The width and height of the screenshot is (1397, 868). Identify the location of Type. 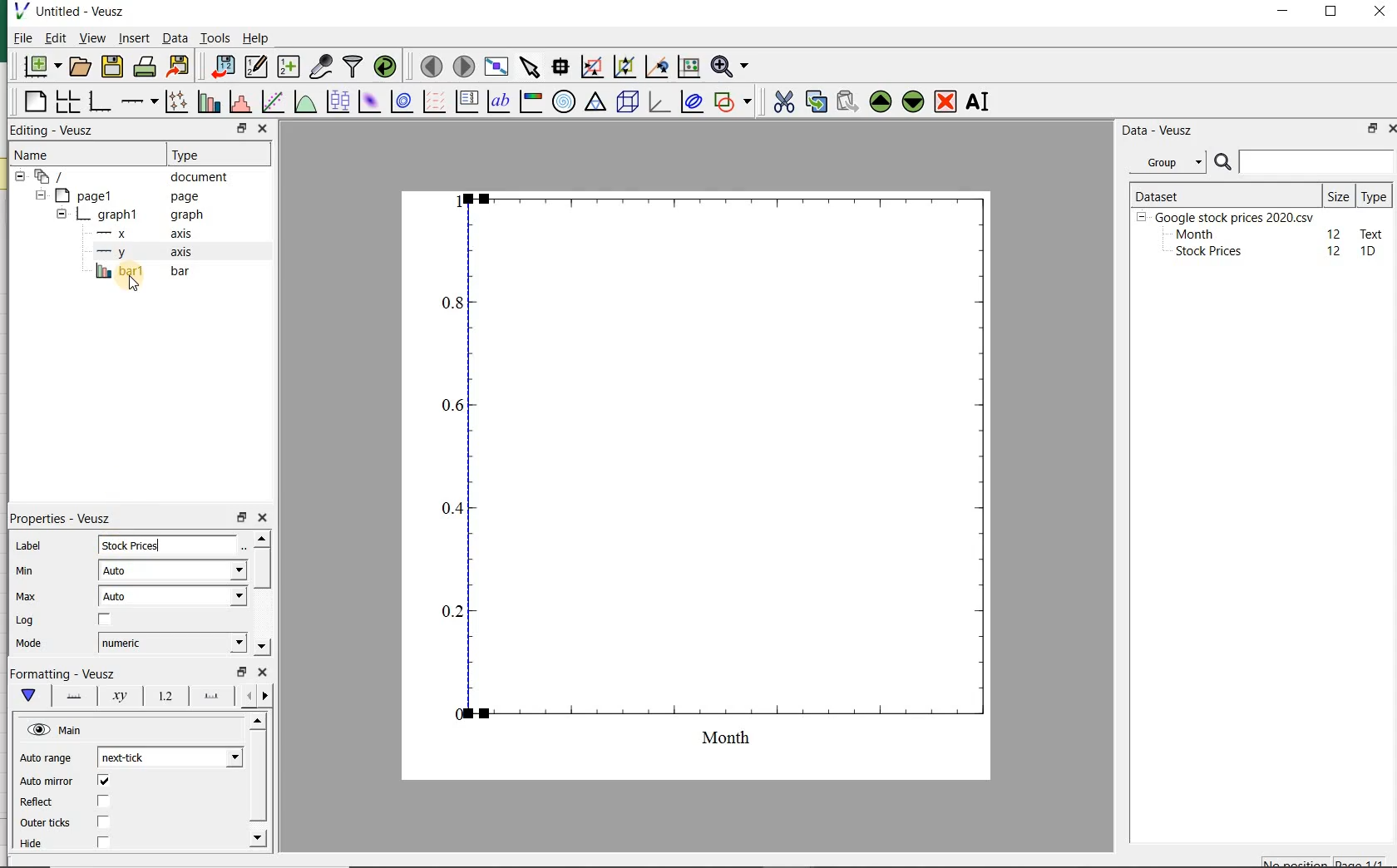
(1374, 195).